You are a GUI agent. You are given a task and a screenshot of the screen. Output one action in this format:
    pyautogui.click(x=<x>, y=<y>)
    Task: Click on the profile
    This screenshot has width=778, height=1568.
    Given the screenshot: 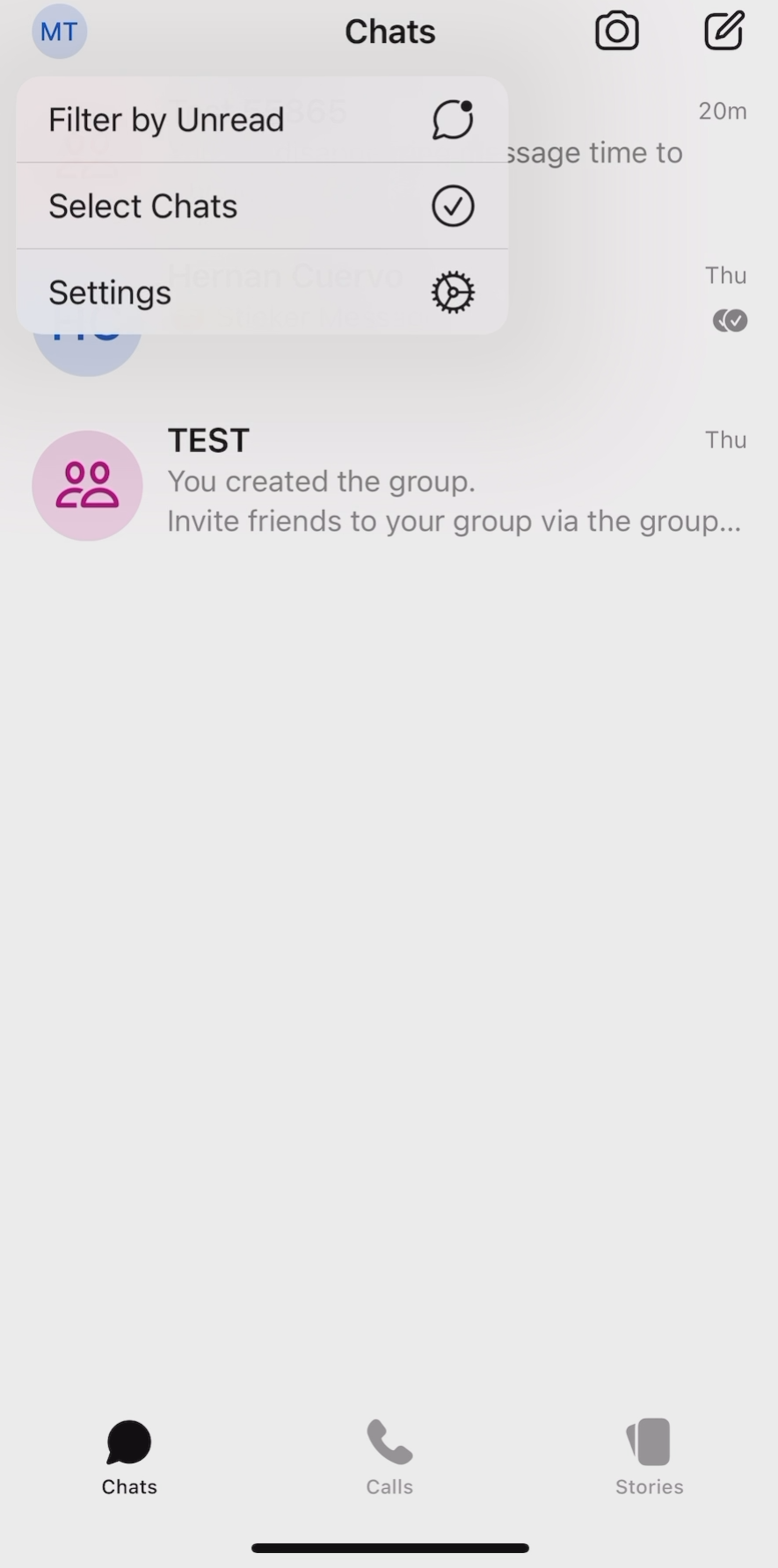 What is the action you would take?
    pyautogui.click(x=57, y=32)
    